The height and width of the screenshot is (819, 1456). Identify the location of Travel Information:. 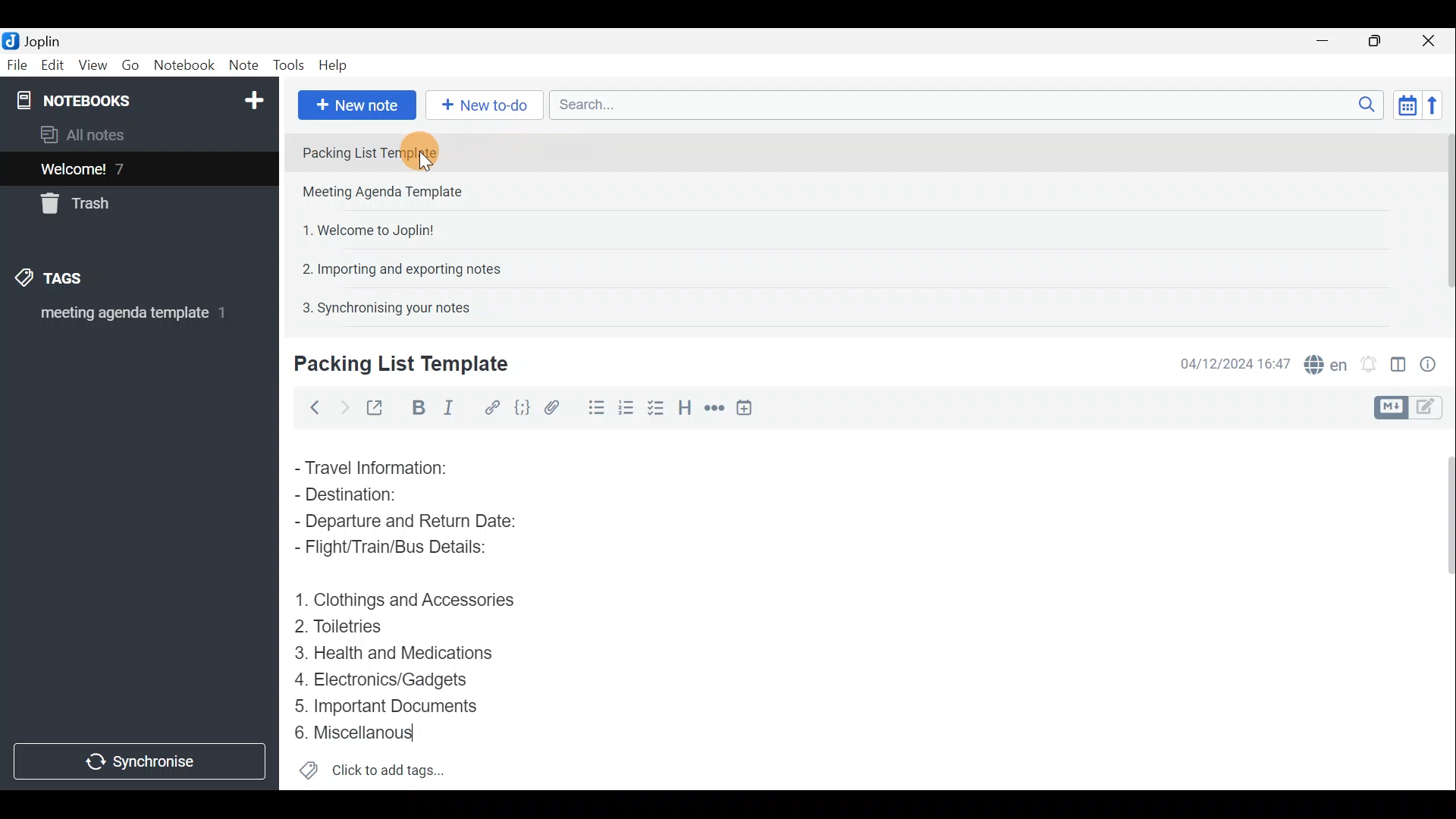
(383, 466).